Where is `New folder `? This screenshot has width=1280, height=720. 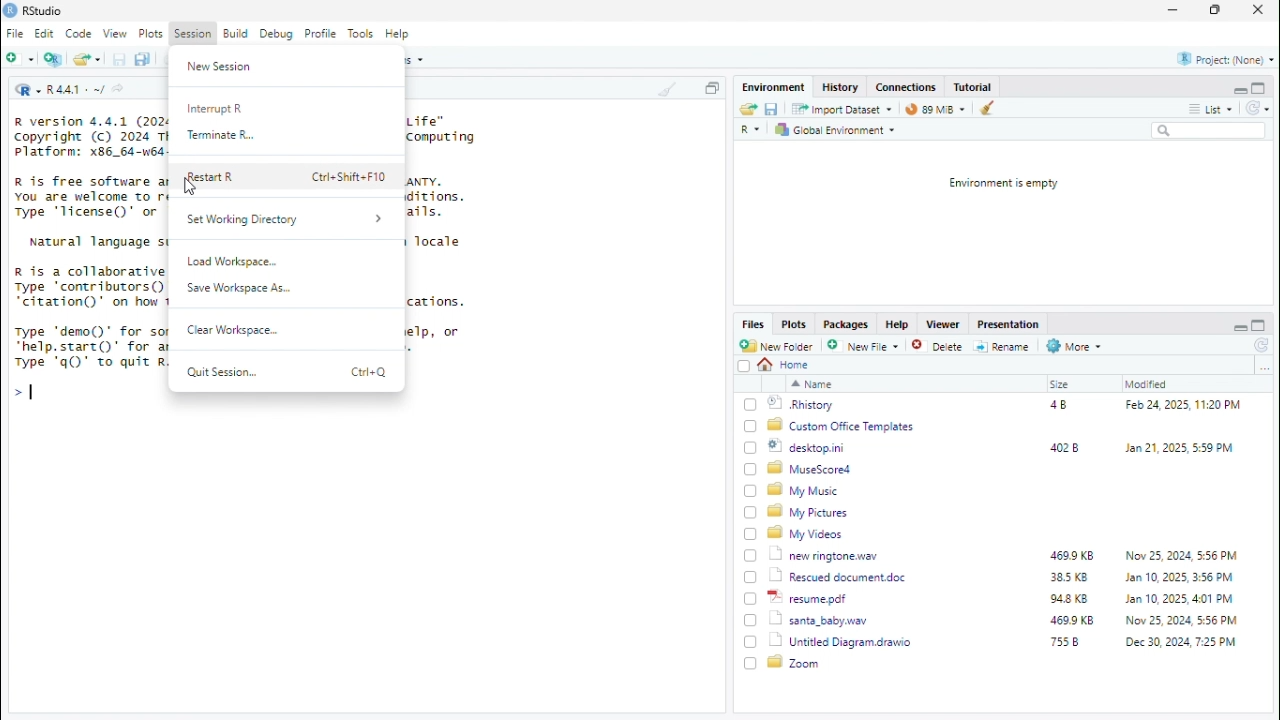
New folder  is located at coordinates (20, 57).